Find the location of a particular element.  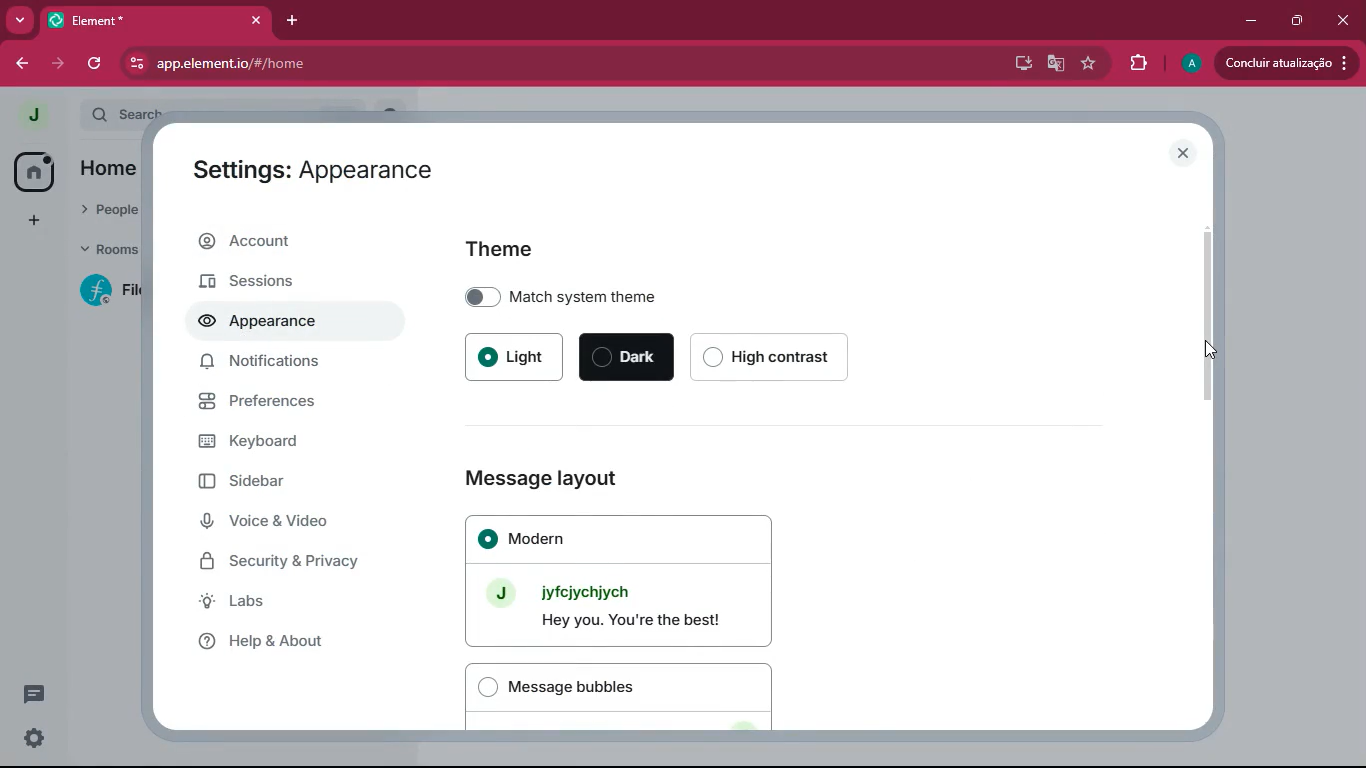

home is located at coordinates (34, 171).